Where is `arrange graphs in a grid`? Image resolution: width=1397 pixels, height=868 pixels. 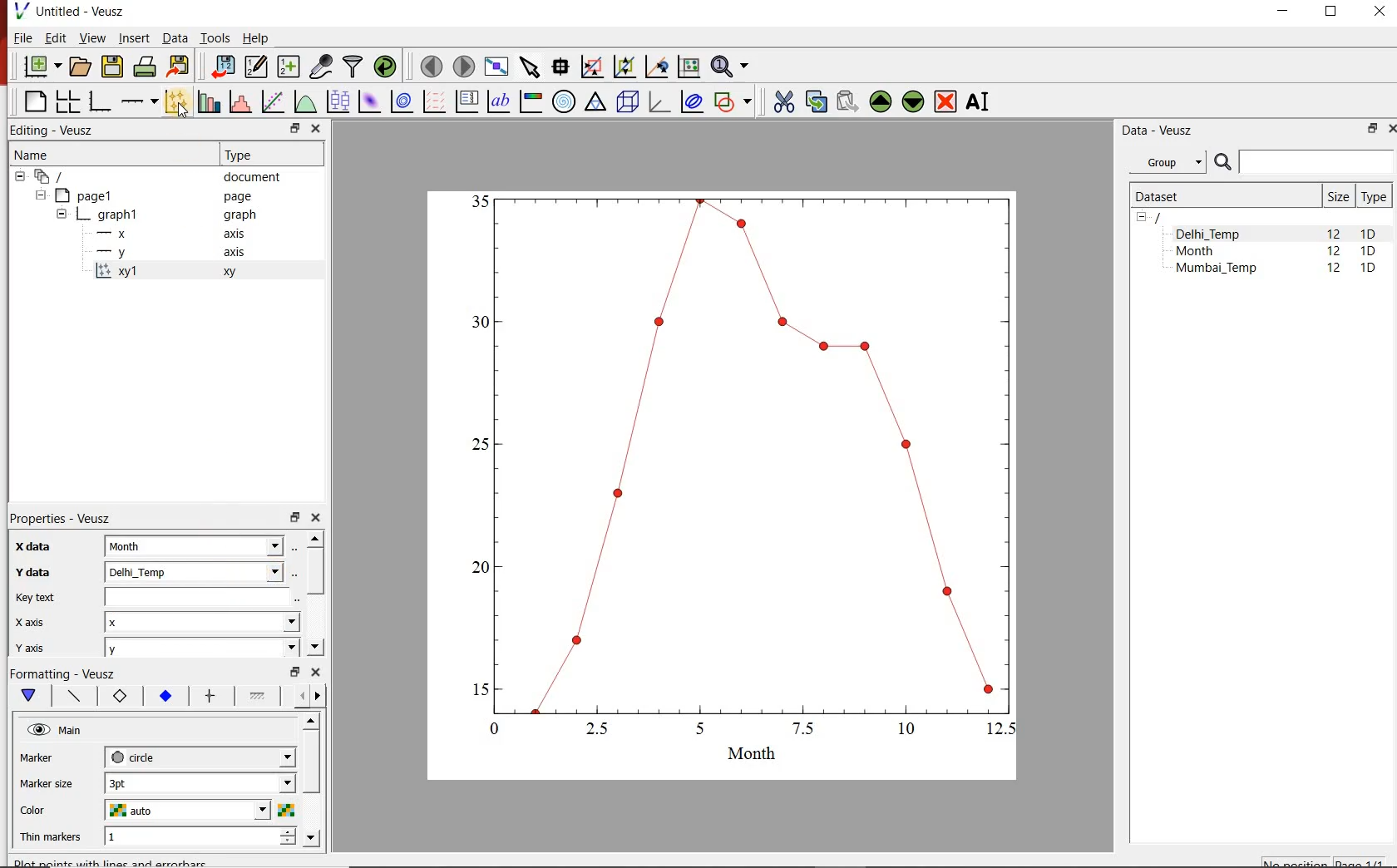
arrange graphs in a grid is located at coordinates (67, 101).